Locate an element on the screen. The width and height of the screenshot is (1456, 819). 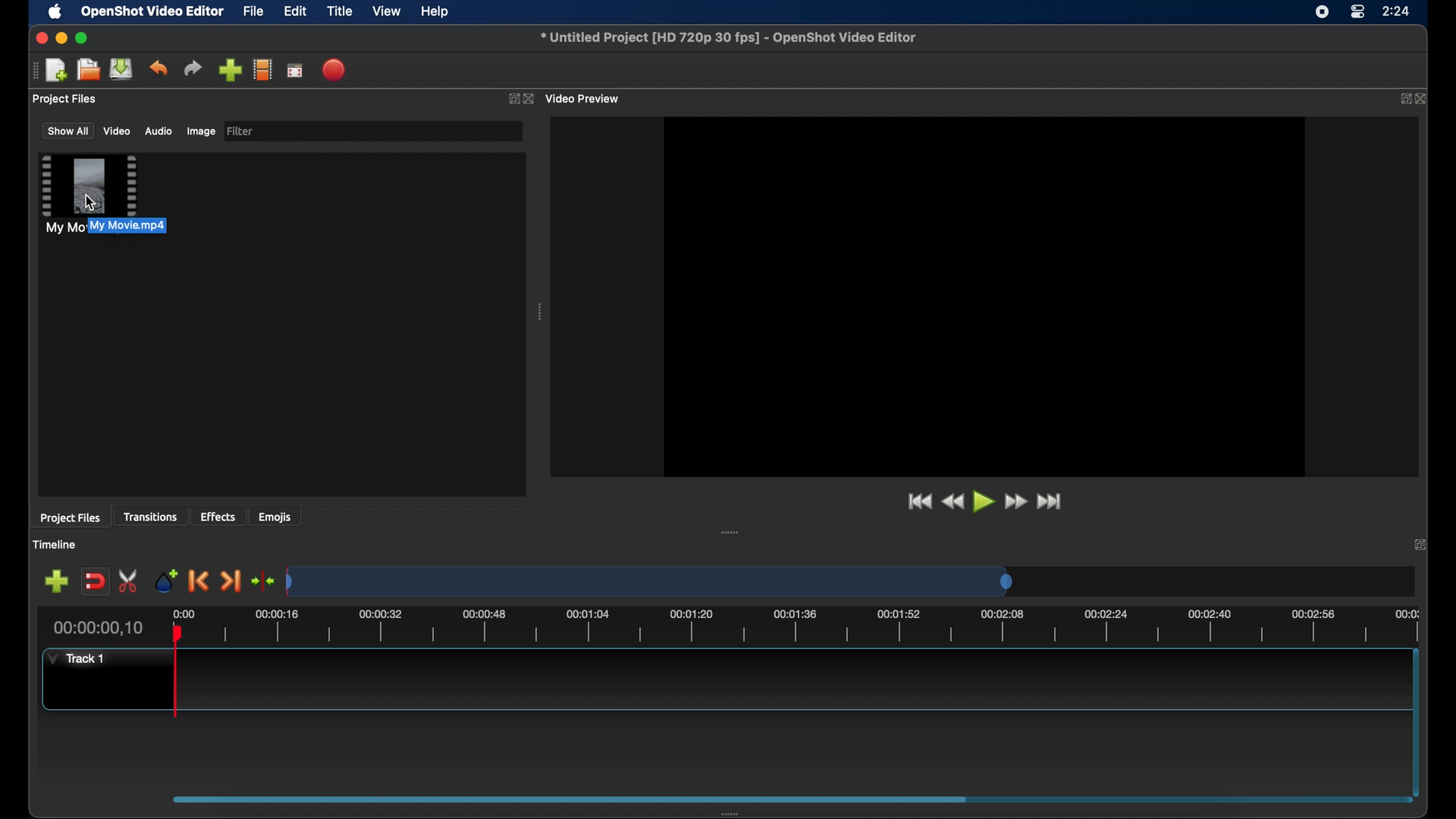
new project is located at coordinates (56, 69).